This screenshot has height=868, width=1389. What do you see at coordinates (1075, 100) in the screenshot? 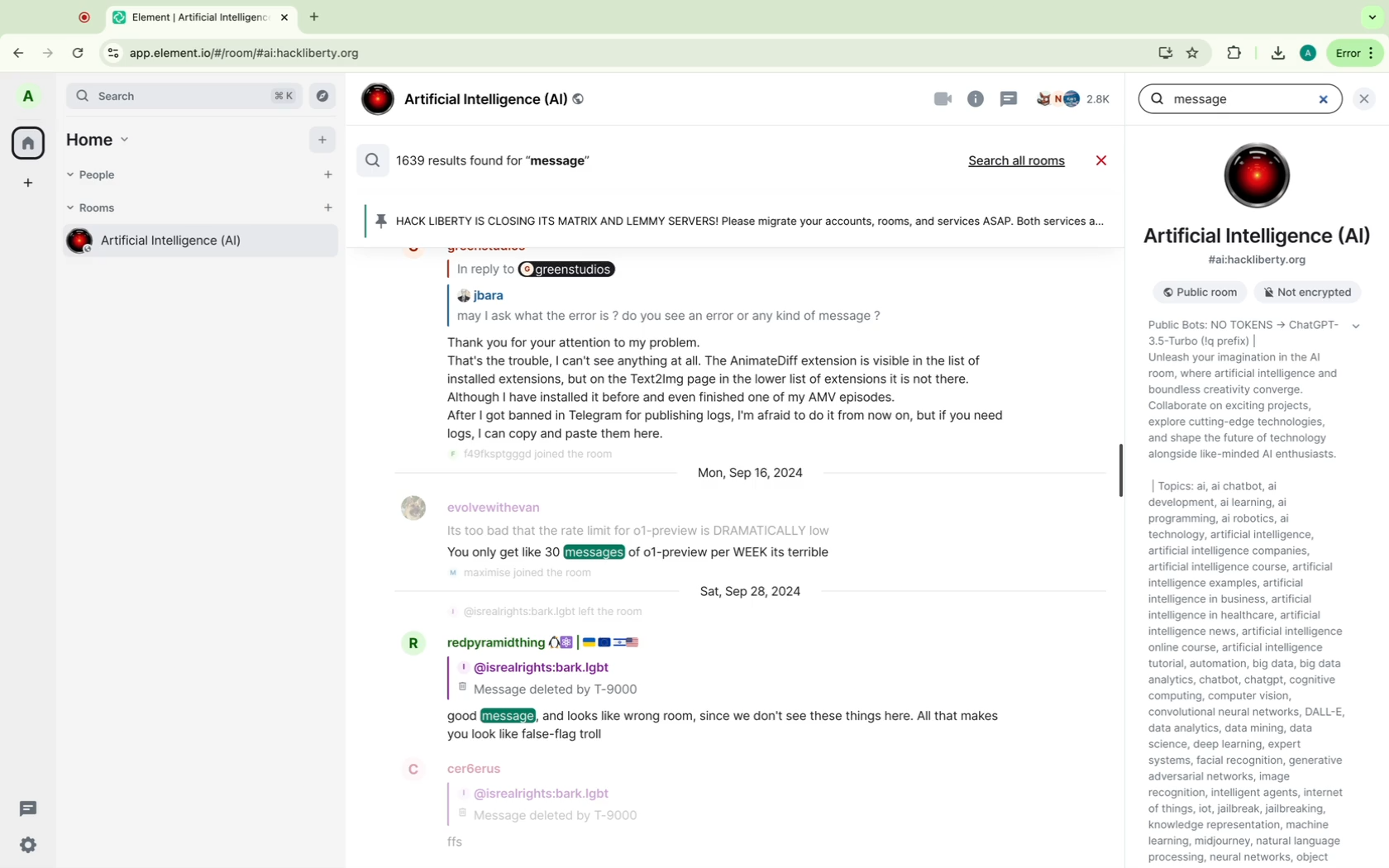
I see `people` at bounding box center [1075, 100].